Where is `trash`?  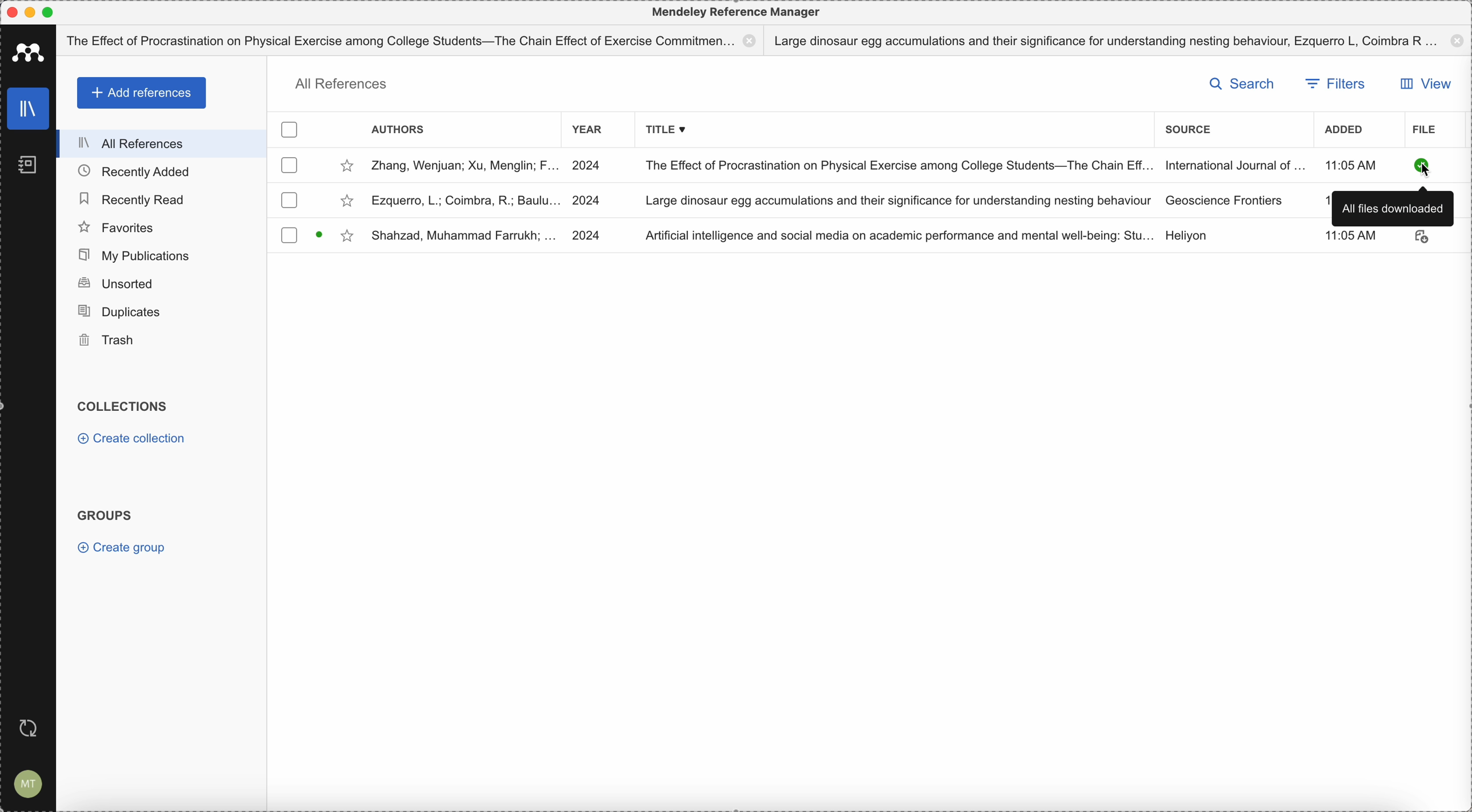
trash is located at coordinates (108, 339).